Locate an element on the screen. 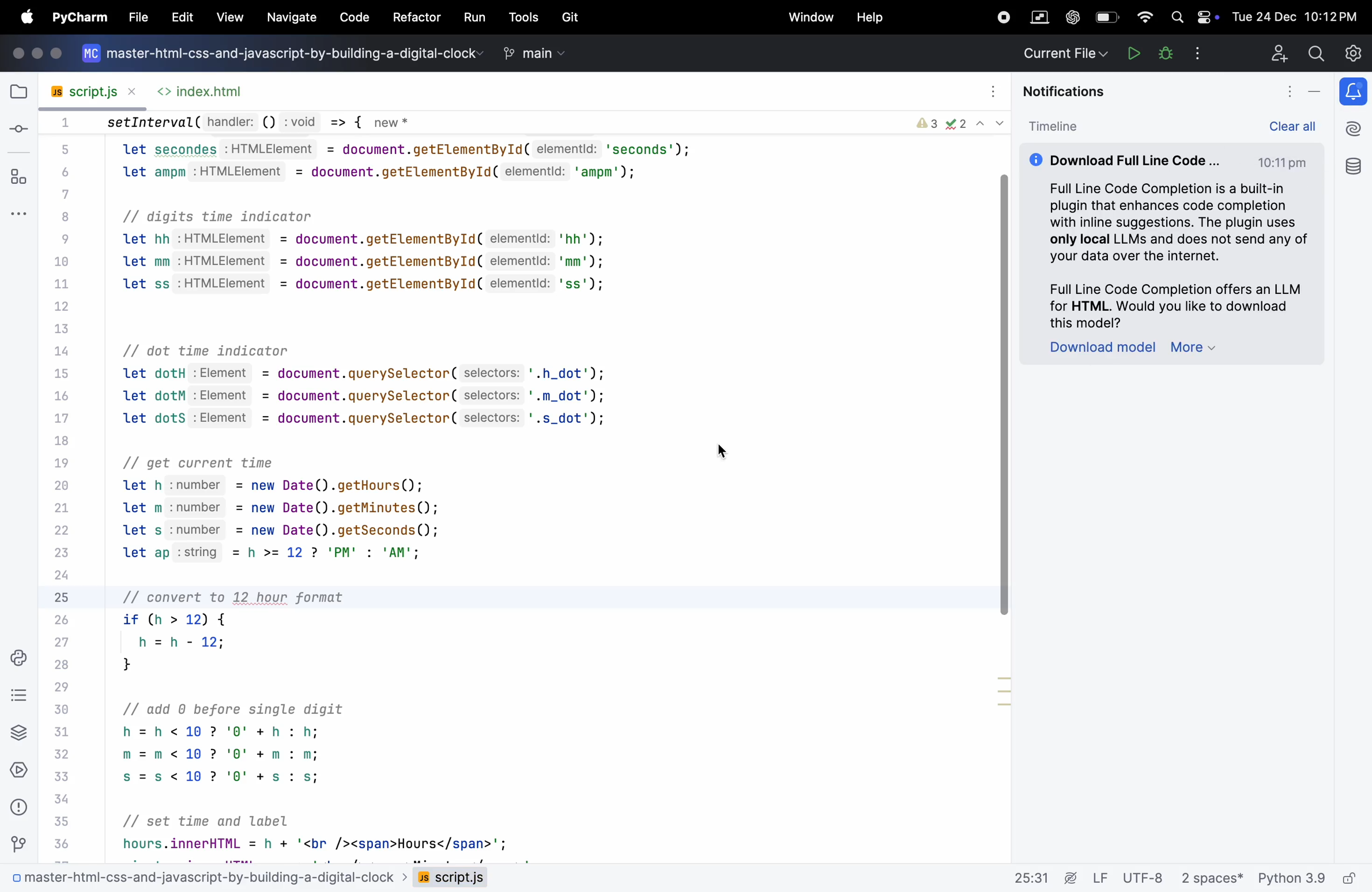 Image resolution: width=1372 pixels, height=892 pixels. index.html is located at coordinates (208, 89).